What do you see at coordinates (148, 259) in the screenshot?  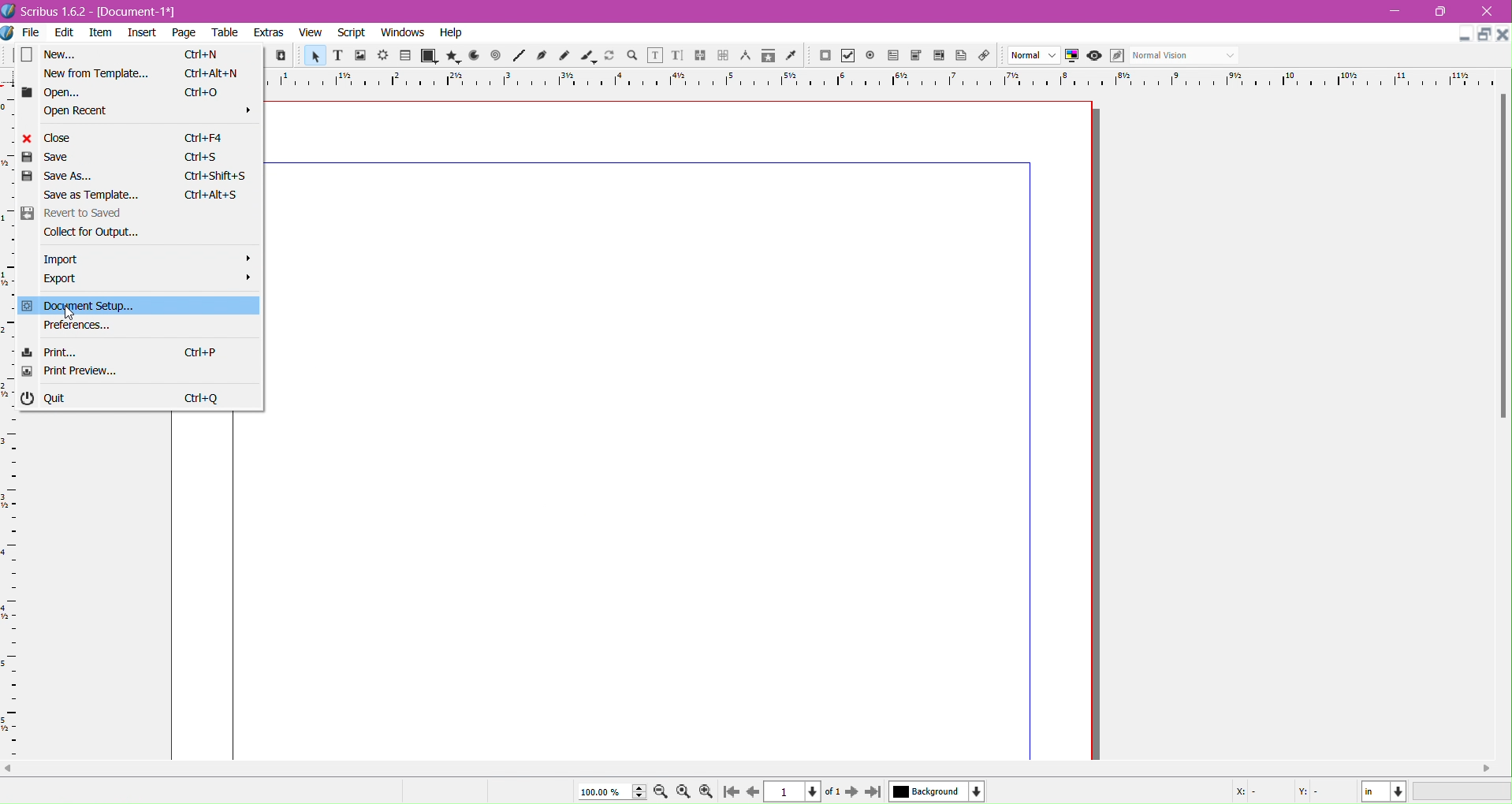 I see `import` at bounding box center [148, 259].